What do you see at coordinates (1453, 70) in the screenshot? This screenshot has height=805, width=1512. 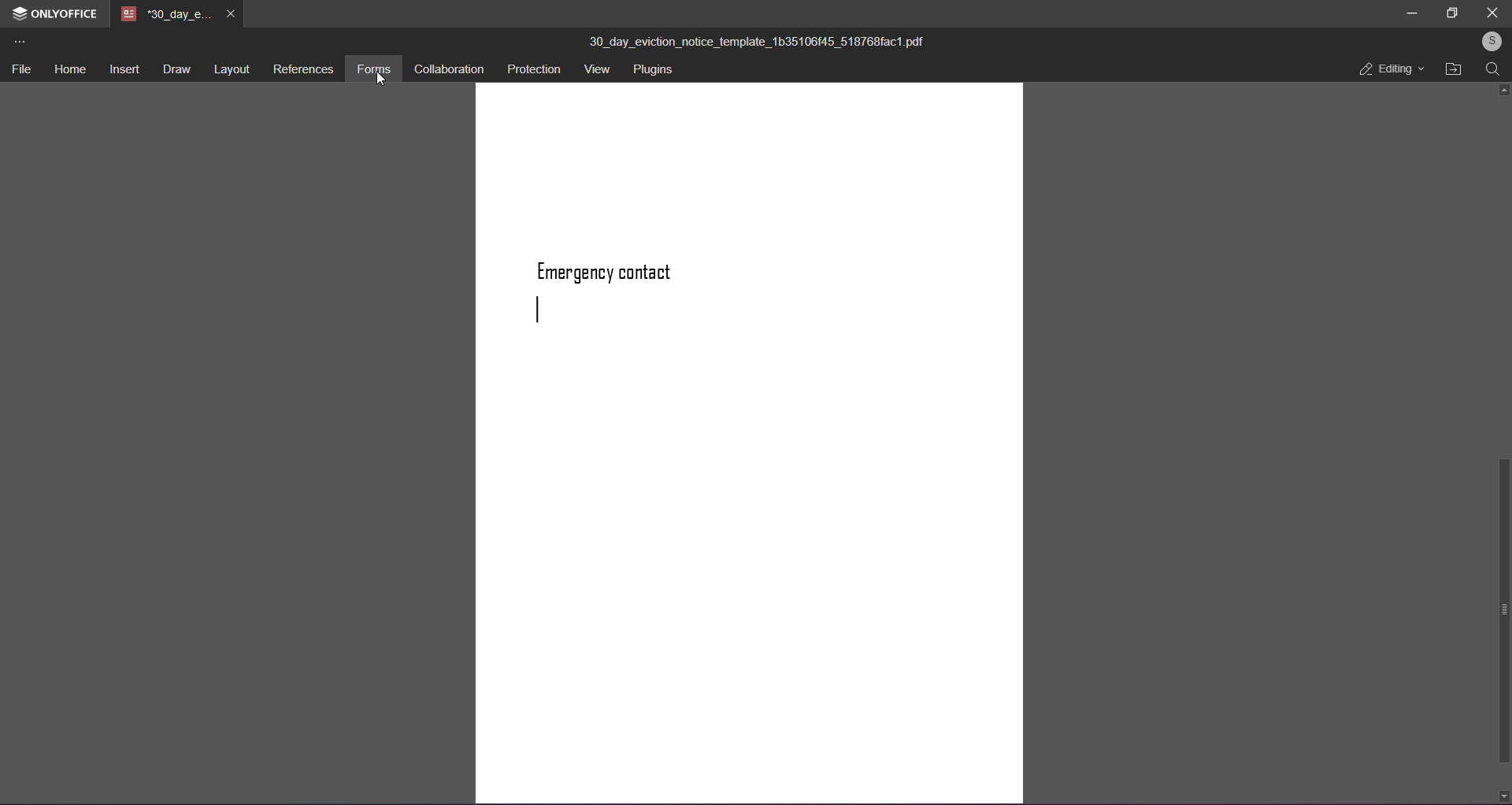 I see `open file location` at bounding box center [1453, 70].